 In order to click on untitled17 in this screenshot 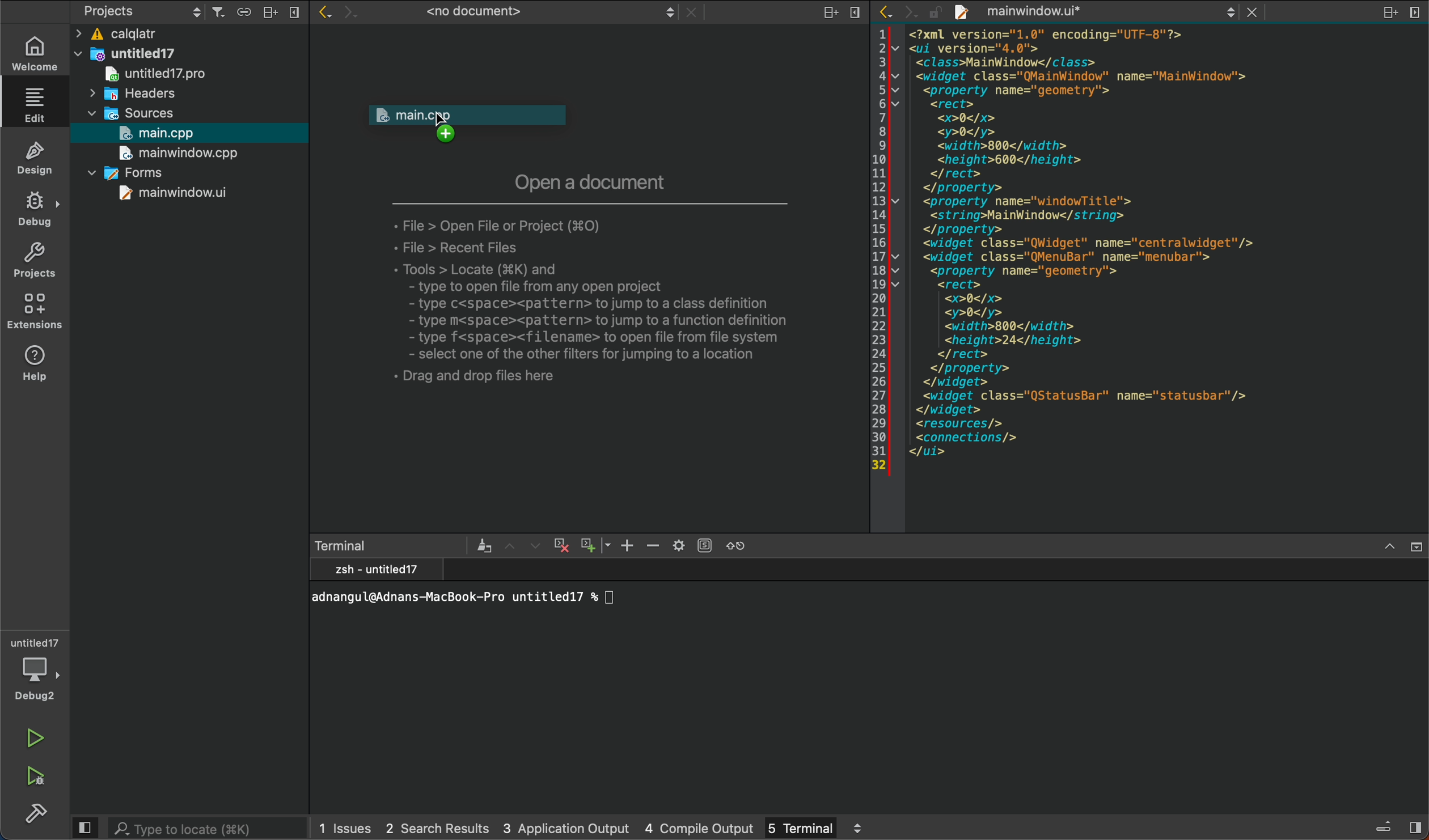, I will do `click(126, 54)`.